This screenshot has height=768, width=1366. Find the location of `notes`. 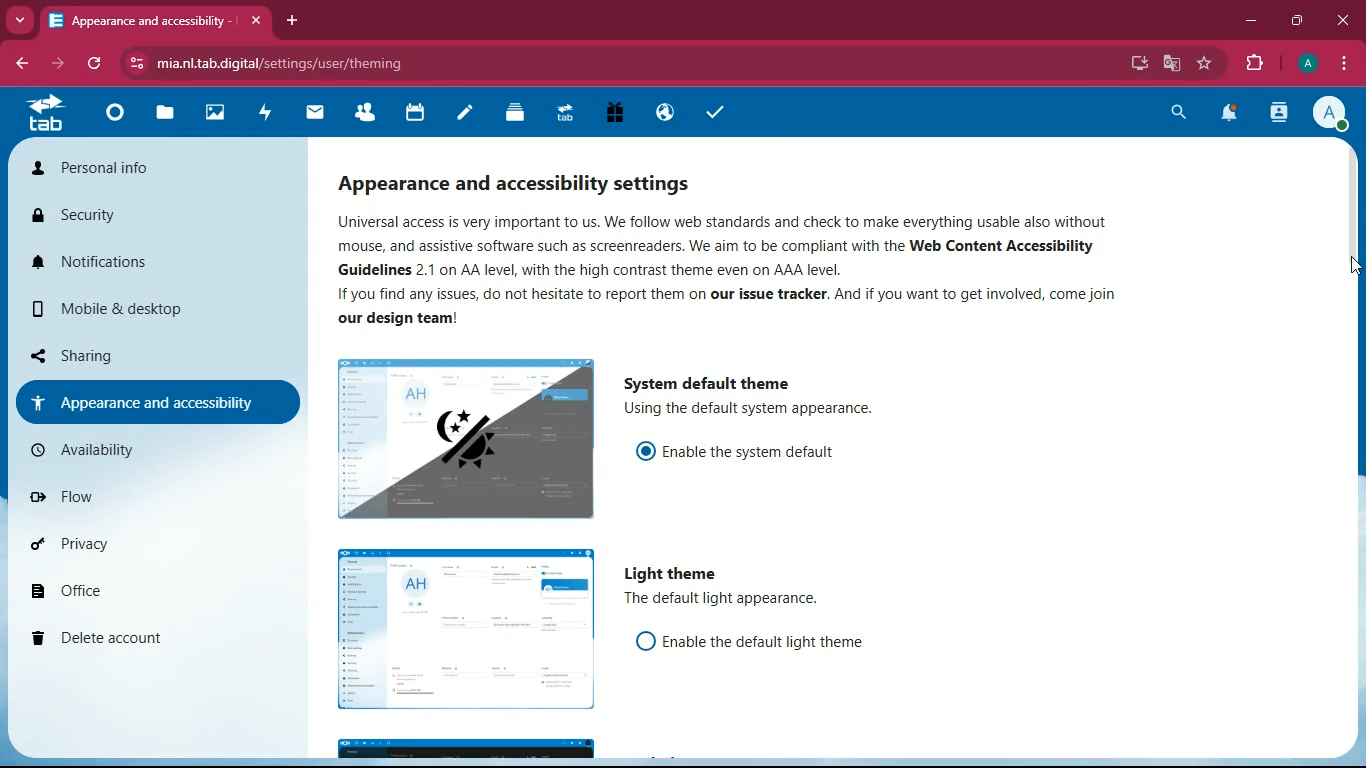

notes is located at coordinates (464, 116).